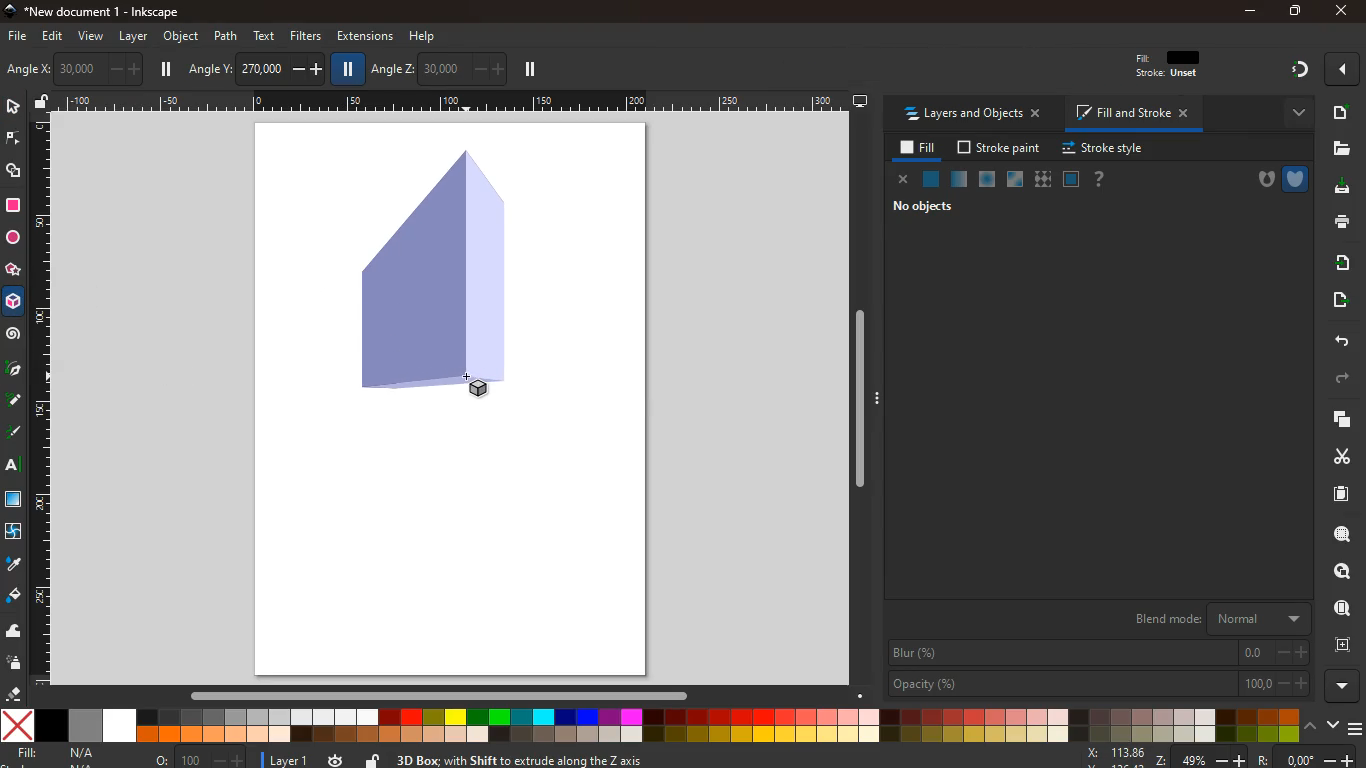  I want to click on star, so click(14, 271).